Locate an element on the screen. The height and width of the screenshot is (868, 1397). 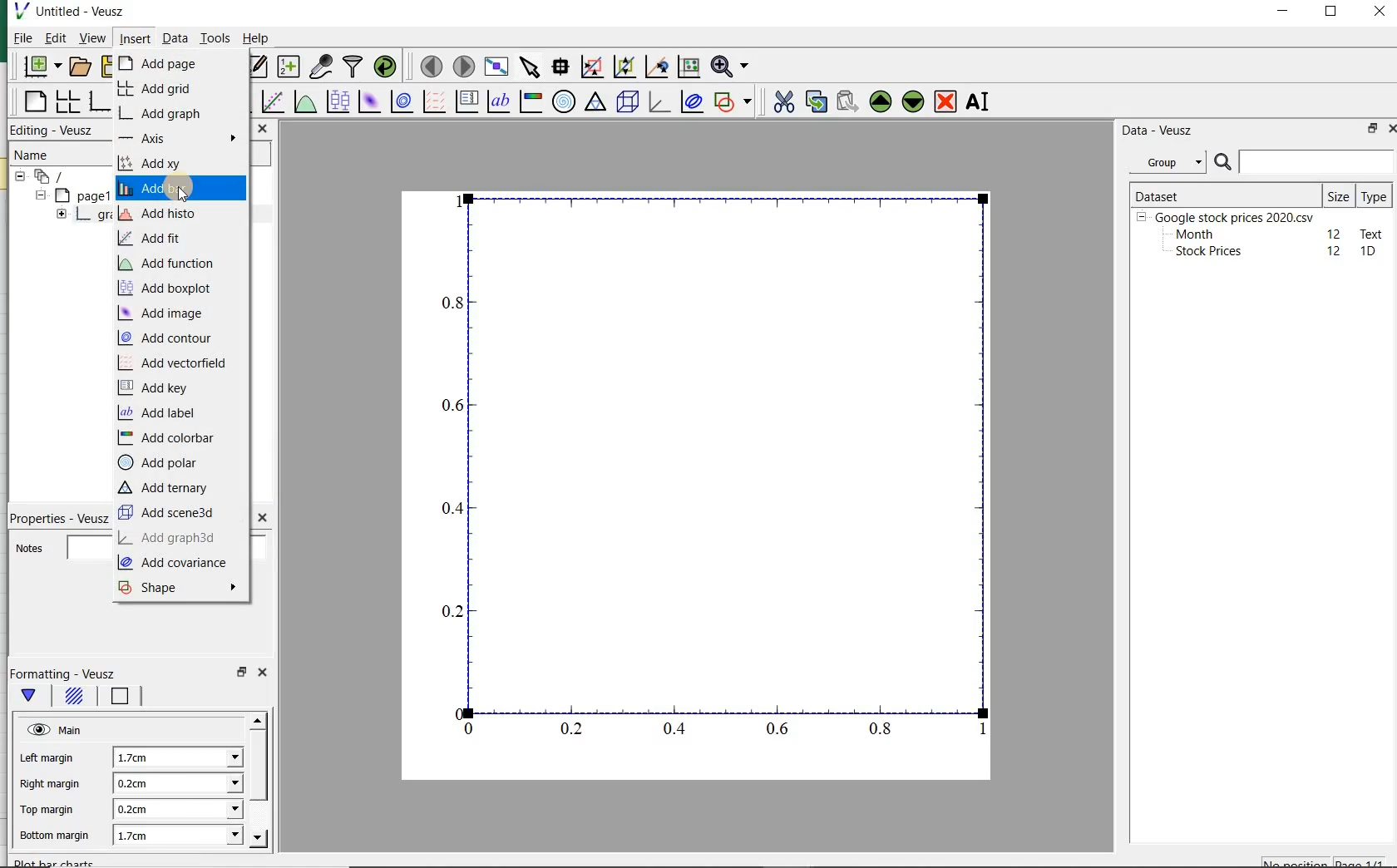
view is located at coordinates (92, 39).